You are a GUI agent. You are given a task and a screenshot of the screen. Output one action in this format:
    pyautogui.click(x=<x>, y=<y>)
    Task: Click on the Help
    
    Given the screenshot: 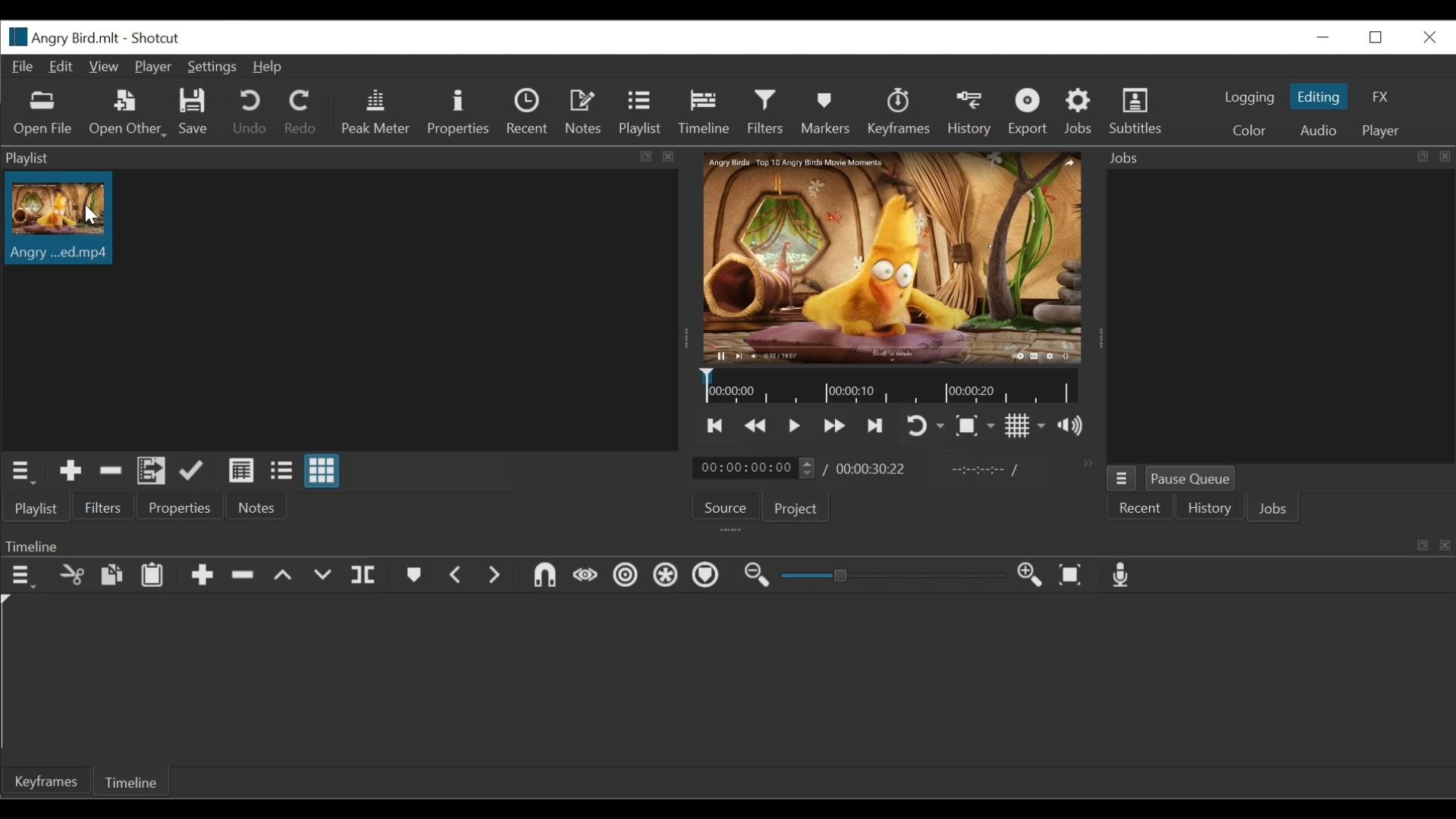 What is the action you would take?
    pyautogui.click(x=272, y=67)
    